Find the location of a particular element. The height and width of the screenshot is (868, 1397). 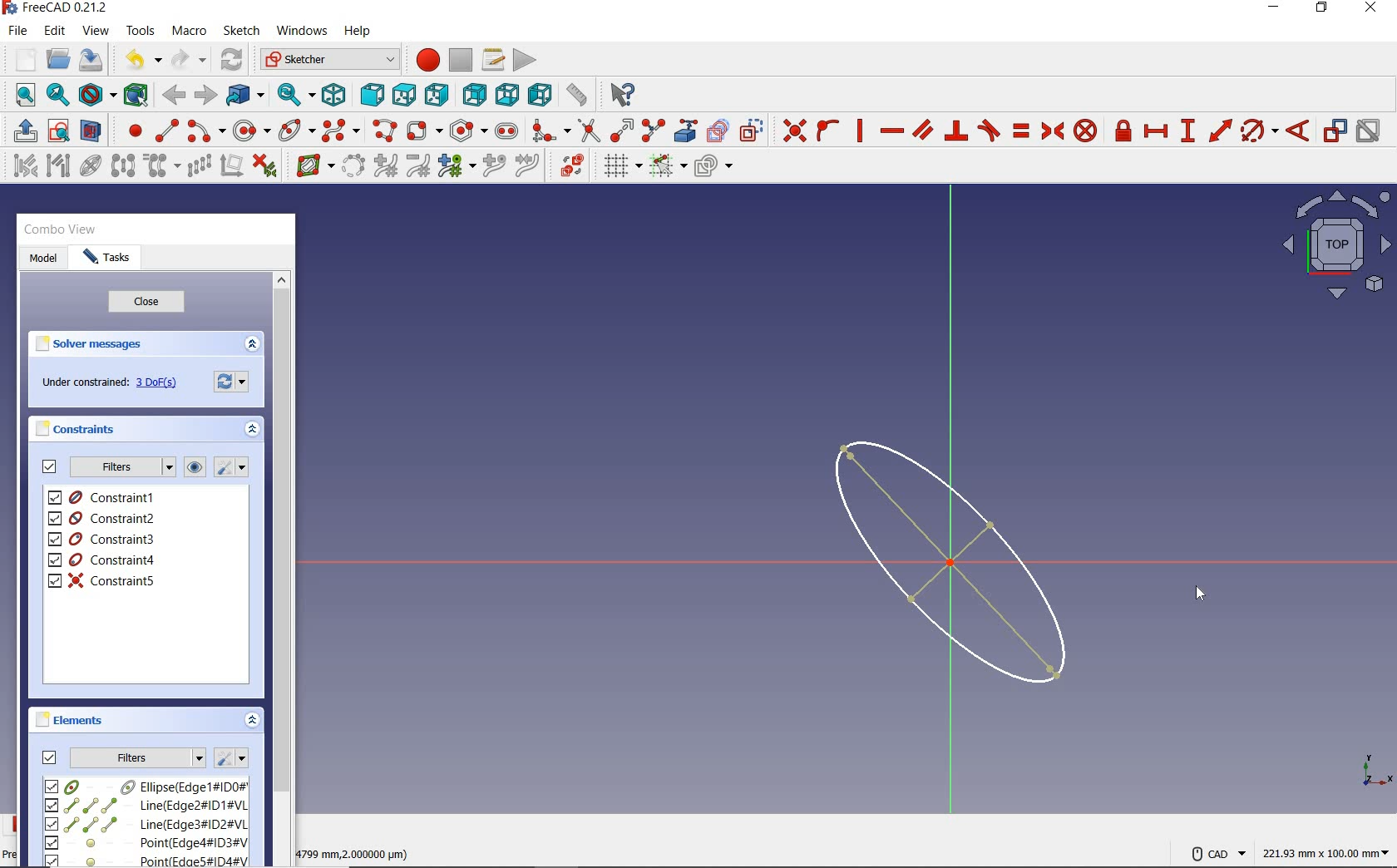

collapse is located at coordinates (254, 432).